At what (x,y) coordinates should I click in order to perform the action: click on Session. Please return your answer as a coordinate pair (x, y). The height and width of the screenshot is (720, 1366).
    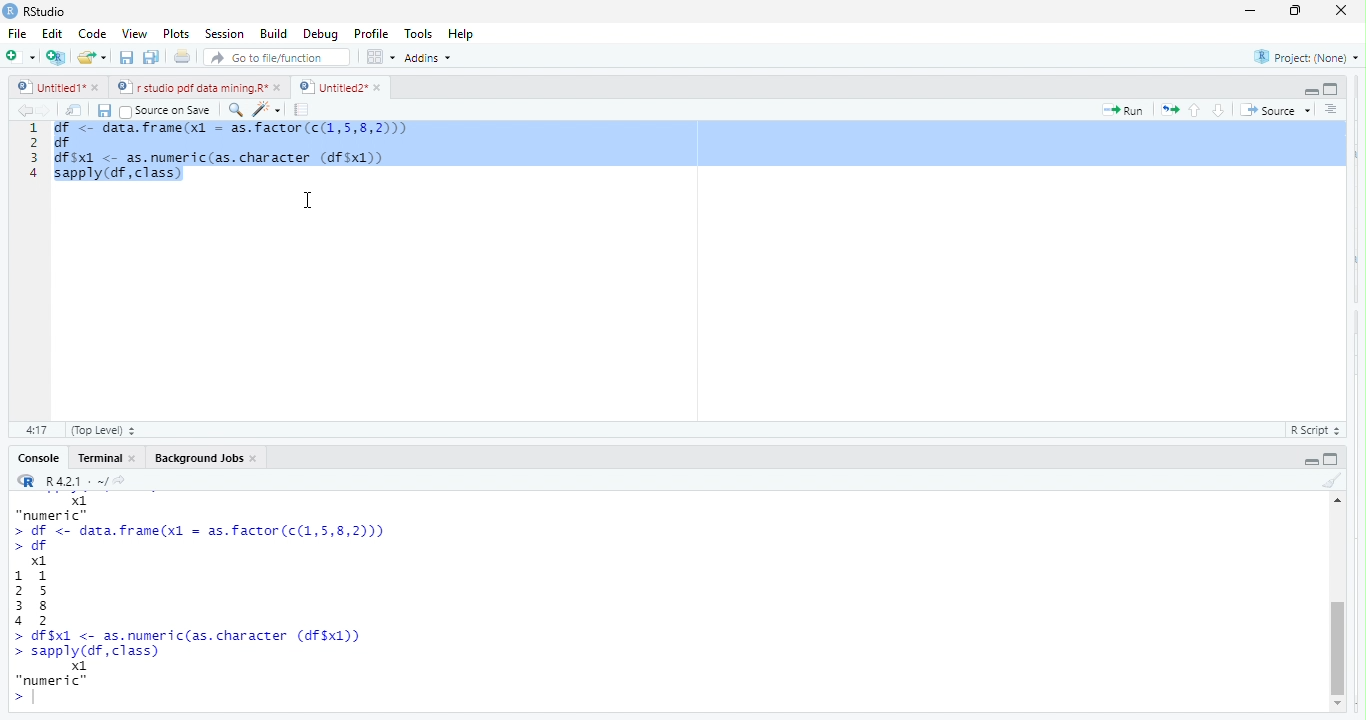
    Looking at the image, I should click on (224, 35).